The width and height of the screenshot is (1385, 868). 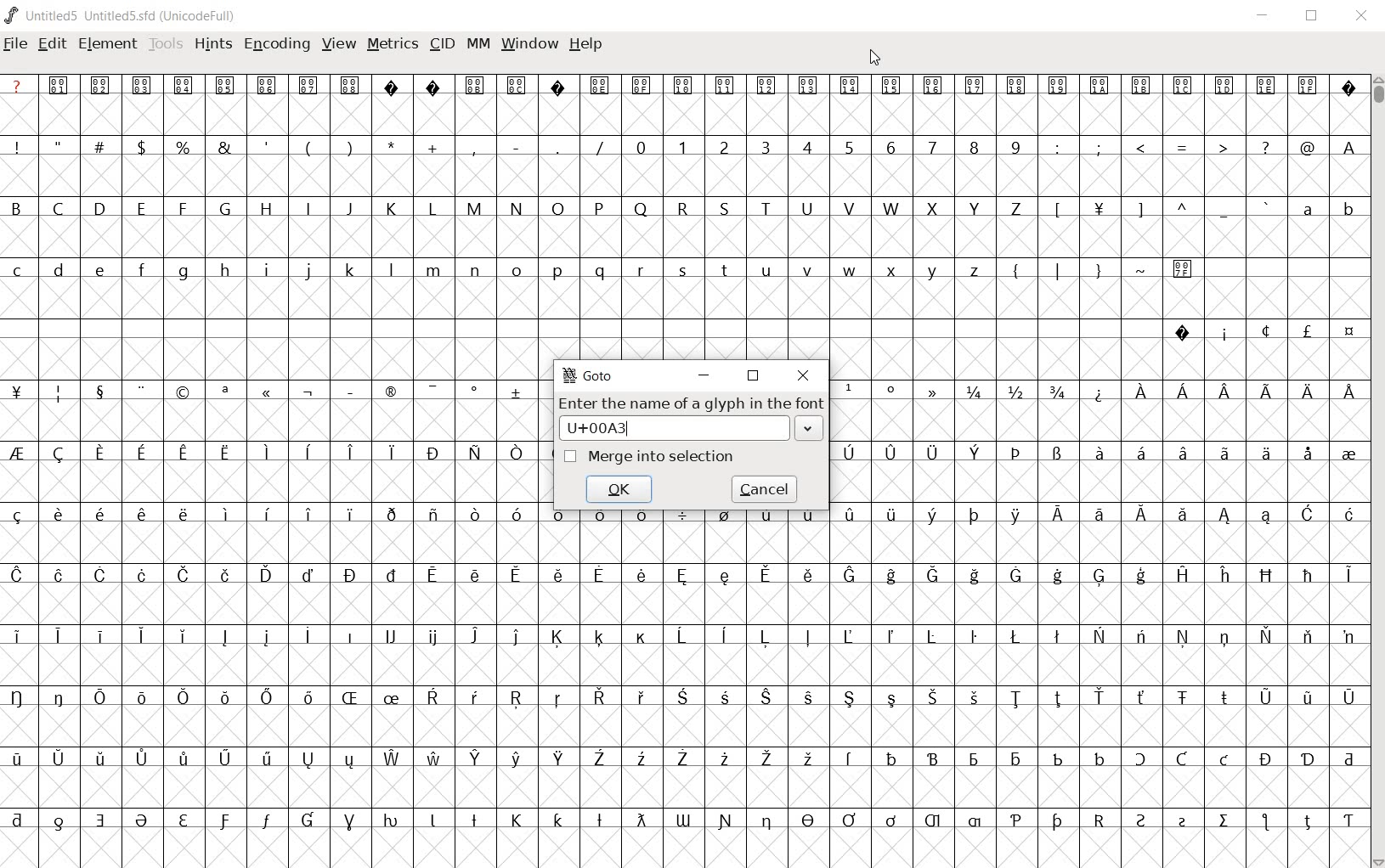 I want to click on Symbol, so click(x=393, y=573).